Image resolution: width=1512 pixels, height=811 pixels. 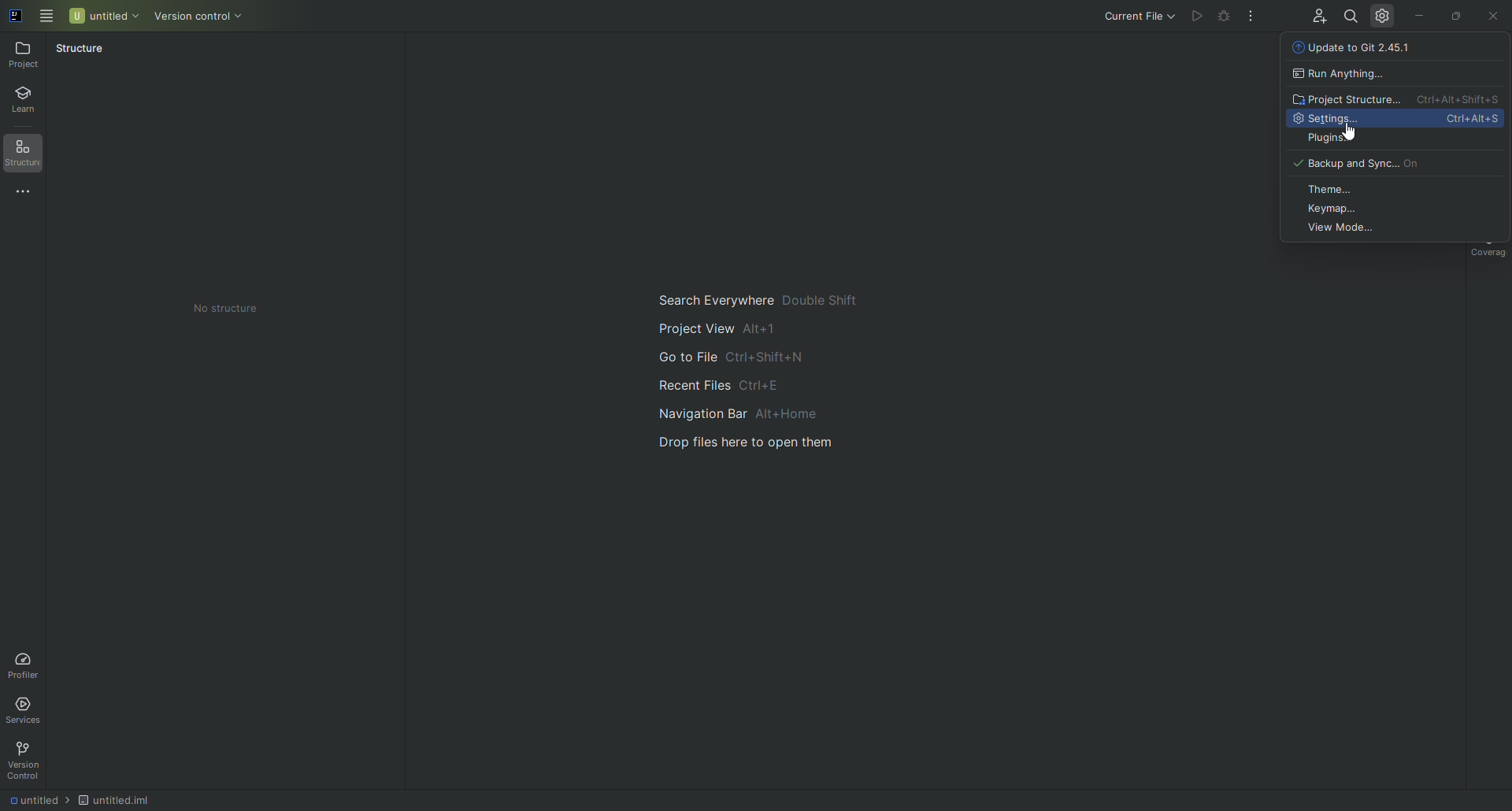 What do you see at coordinates (19, 19) in the screenshot?
I see `Application logo` at bounding box center [19, 19].